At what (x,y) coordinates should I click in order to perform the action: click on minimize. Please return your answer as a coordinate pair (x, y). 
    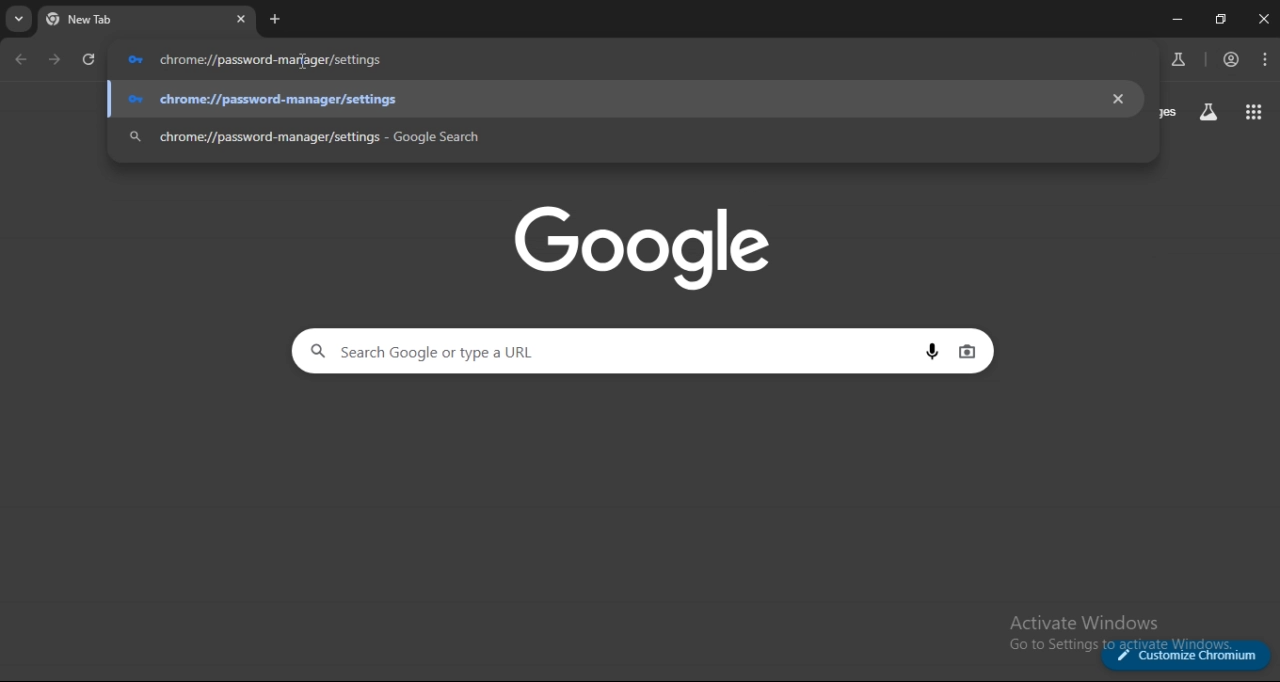
    Looking at the image, I should click on (1175, 19).